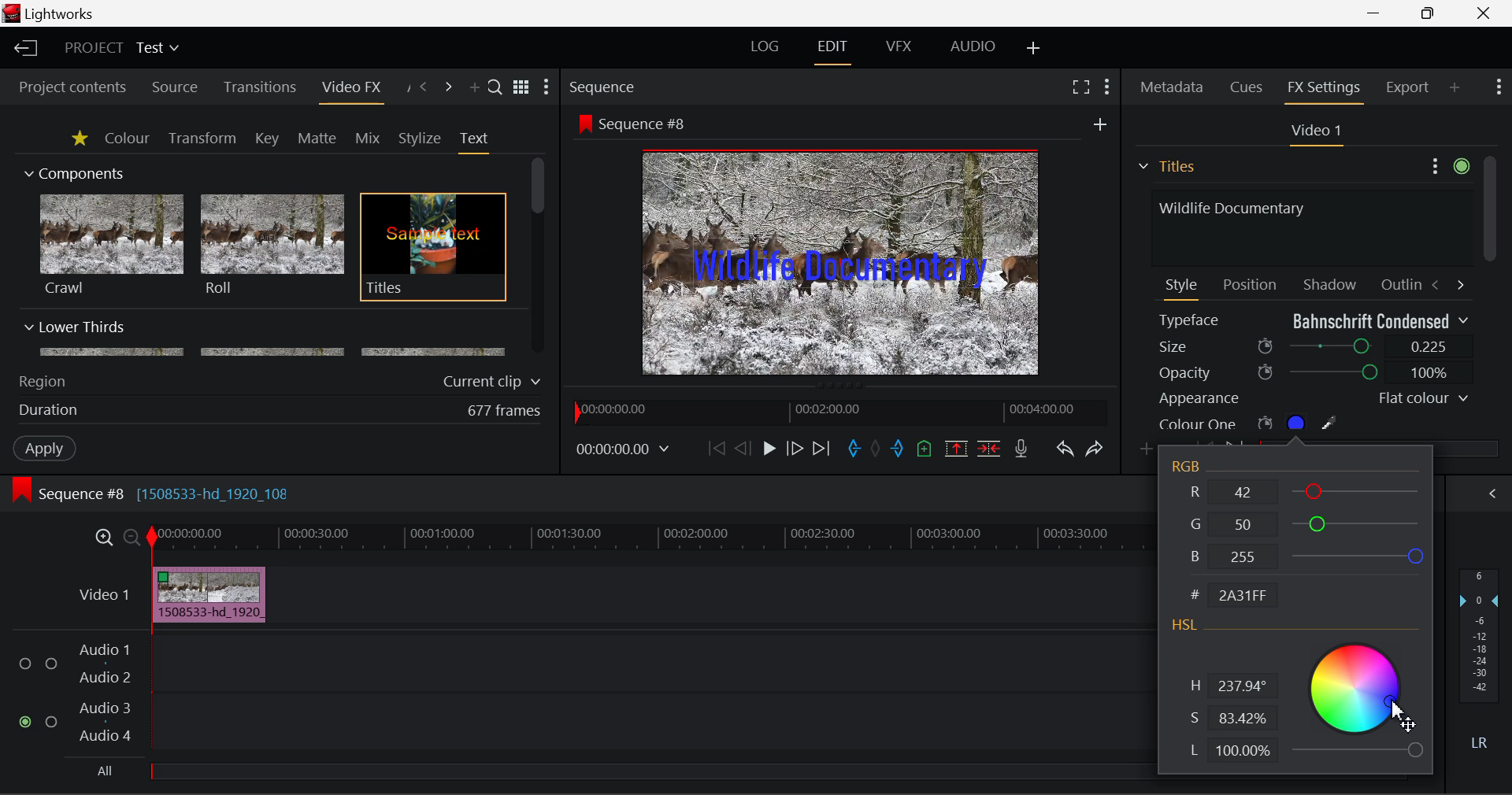 This screenshot has width=1512, height=795. I want to click on Crawl, so click(112, 245).